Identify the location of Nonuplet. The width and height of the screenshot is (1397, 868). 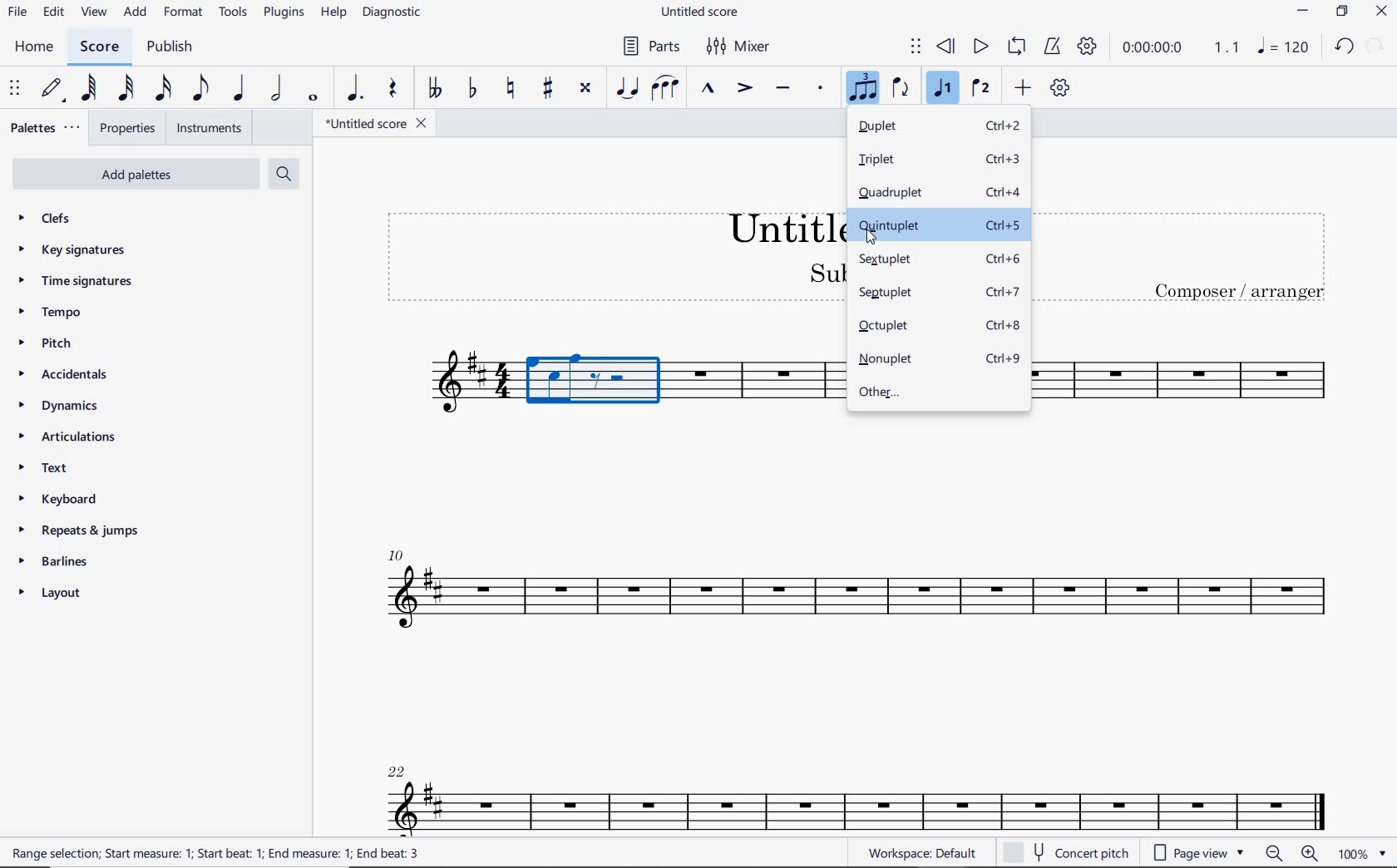
(940, 360).